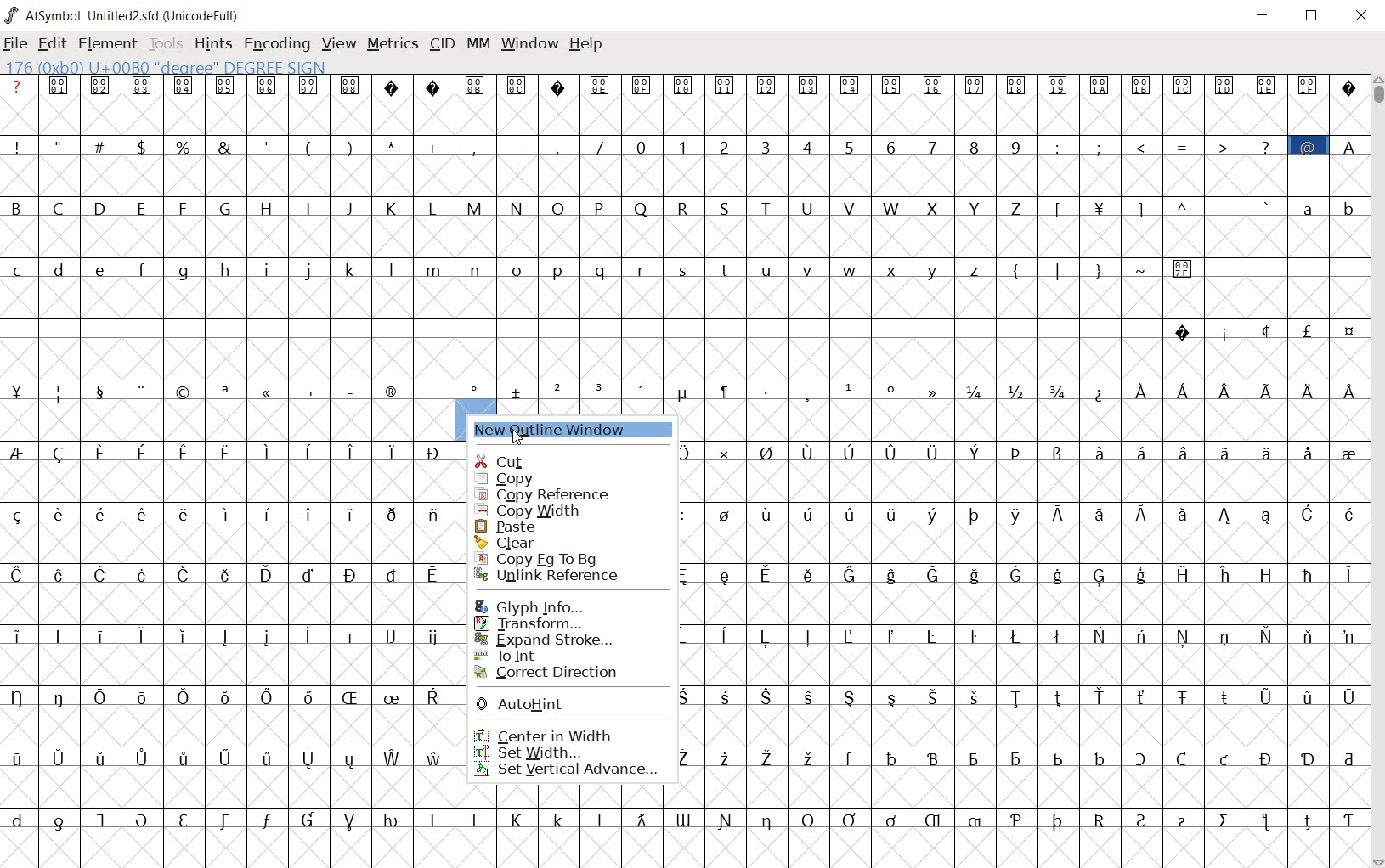  Describe the element at coordinates (552, 495) in the screenshot. I see `copy reference` at that location.